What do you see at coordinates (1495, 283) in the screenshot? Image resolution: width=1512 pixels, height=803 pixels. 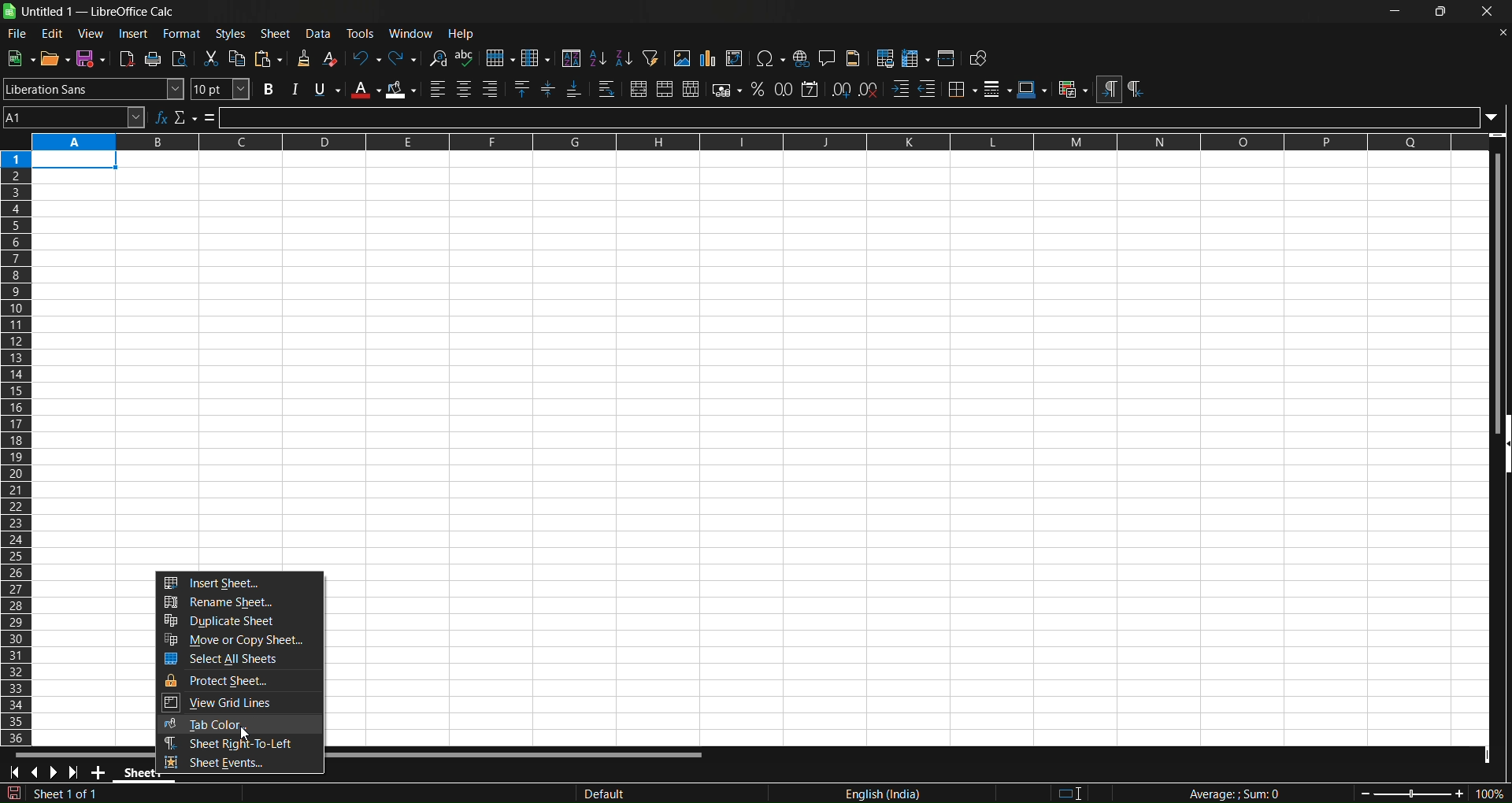 I see `vertical scroll bar` at bounding box center [1495, 283].